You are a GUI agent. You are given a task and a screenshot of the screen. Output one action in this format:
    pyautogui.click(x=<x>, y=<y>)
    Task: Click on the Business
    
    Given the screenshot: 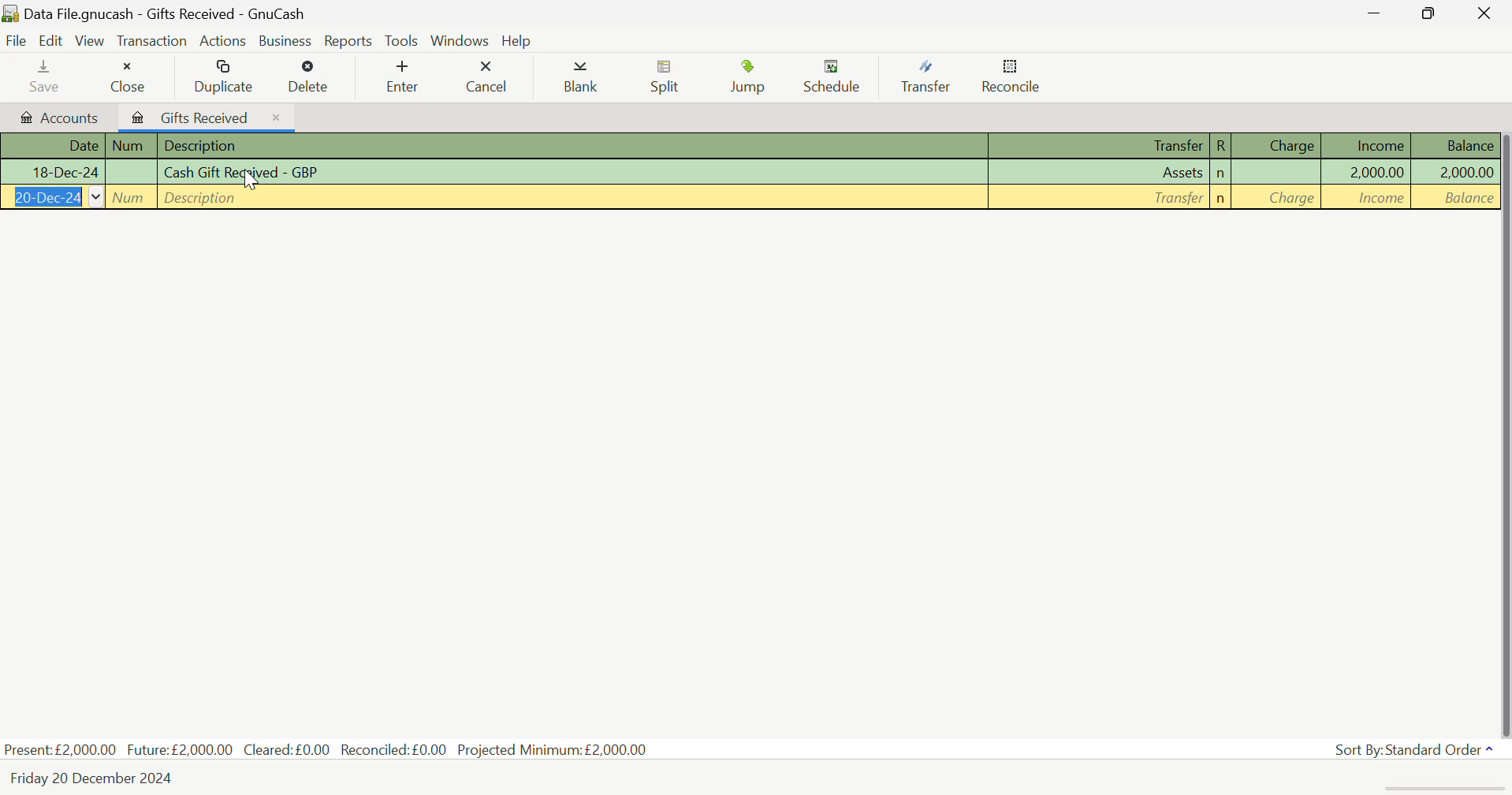 What is the action you would take?
    pyautogui.click(x=282, y=39)
    